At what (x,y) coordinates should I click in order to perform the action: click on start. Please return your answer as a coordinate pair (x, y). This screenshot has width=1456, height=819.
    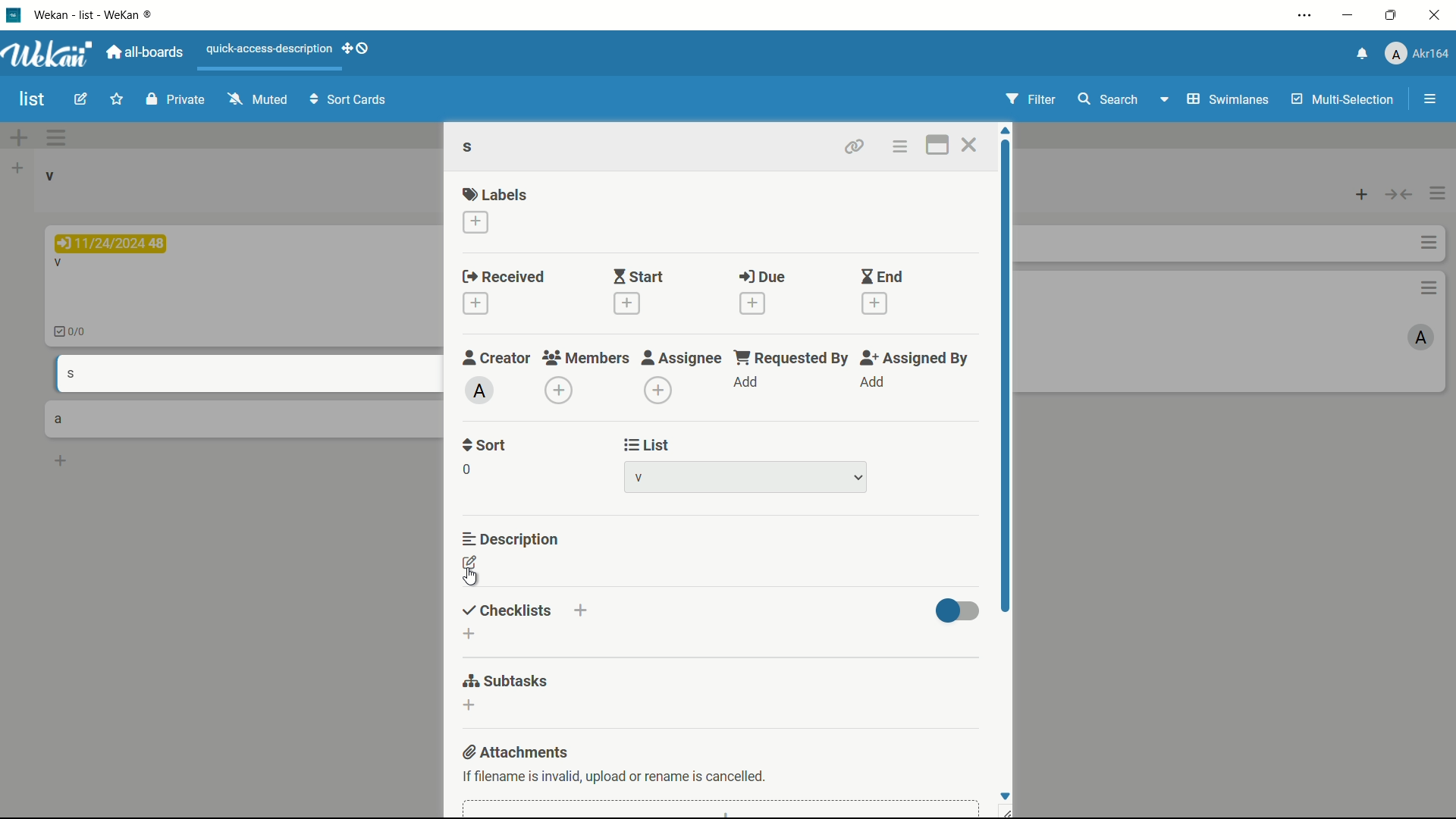
    Looking at the image, I should click on (640, 277).